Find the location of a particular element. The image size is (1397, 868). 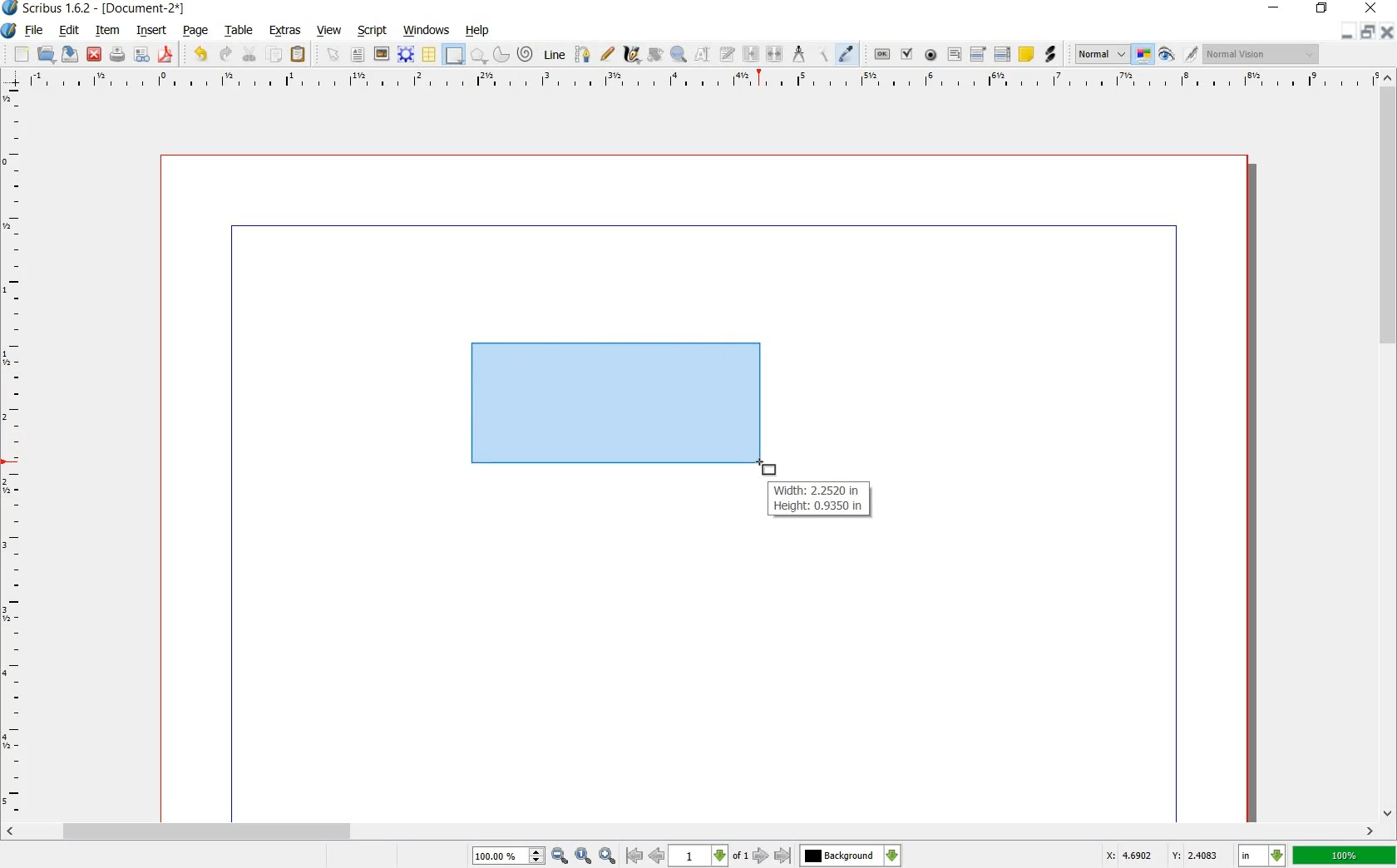

100.00% is located at coordinates (509, 856).